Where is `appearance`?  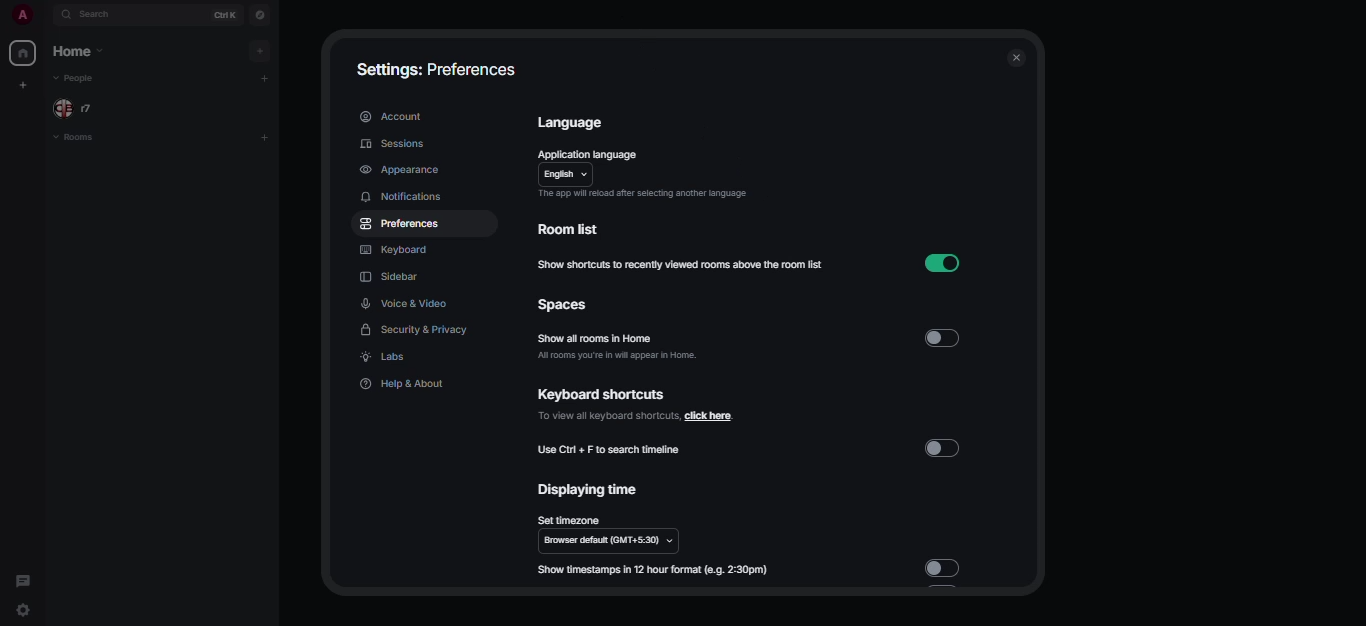
appearance is located at coordinates (402, 170).